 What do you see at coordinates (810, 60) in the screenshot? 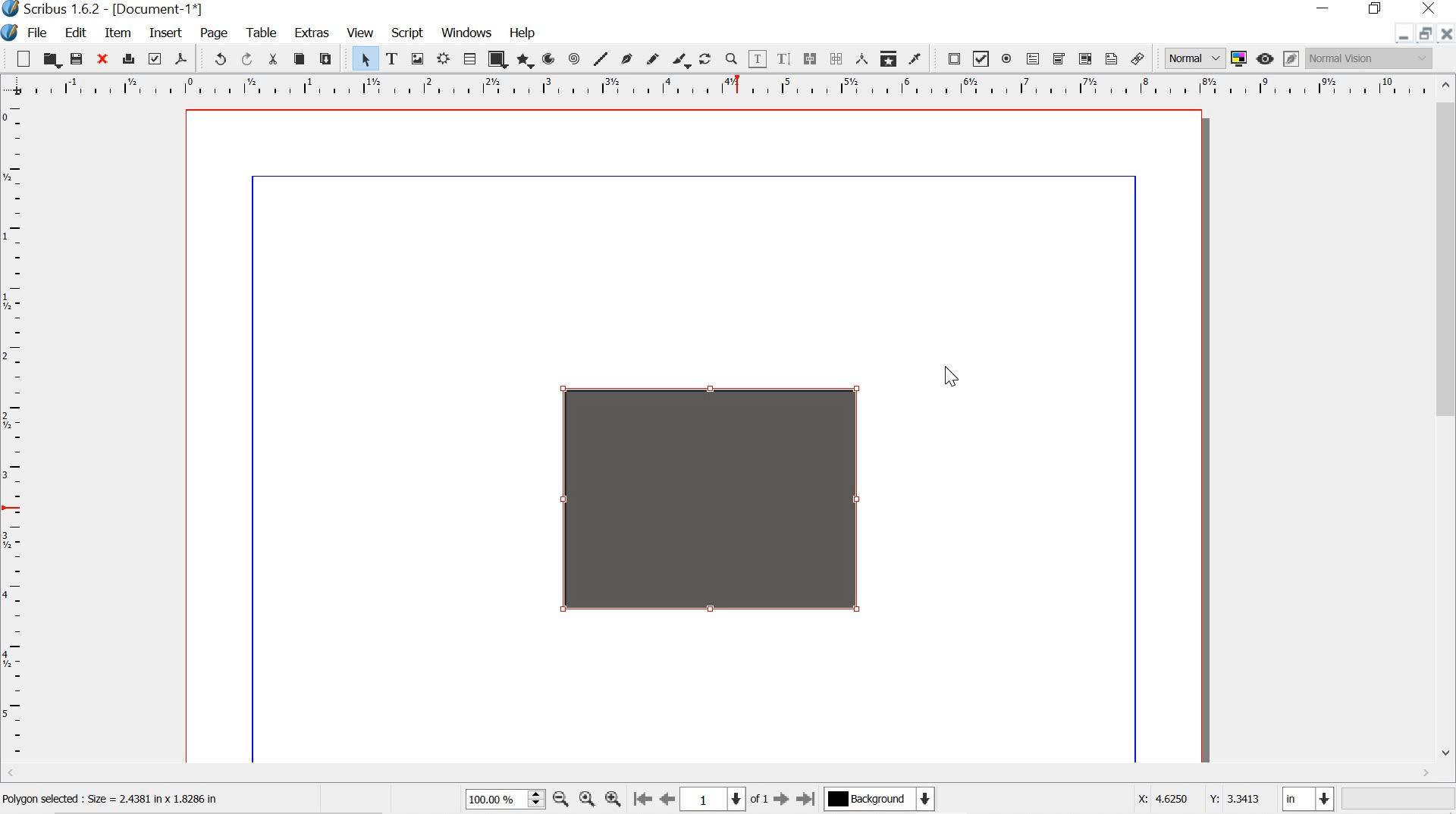
I see `link text frame` at bounding box center [810, 60].